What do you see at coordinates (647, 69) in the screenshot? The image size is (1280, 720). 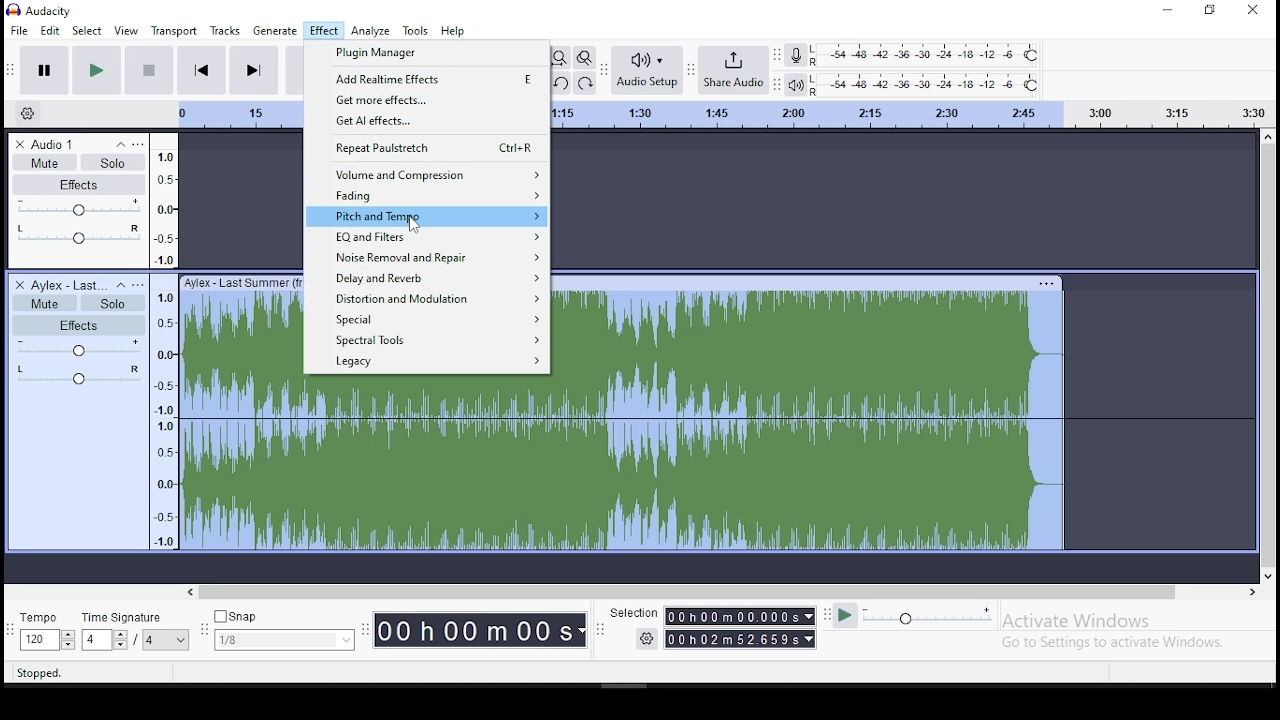 I see `audio setup` at bounding box center [647, 69].